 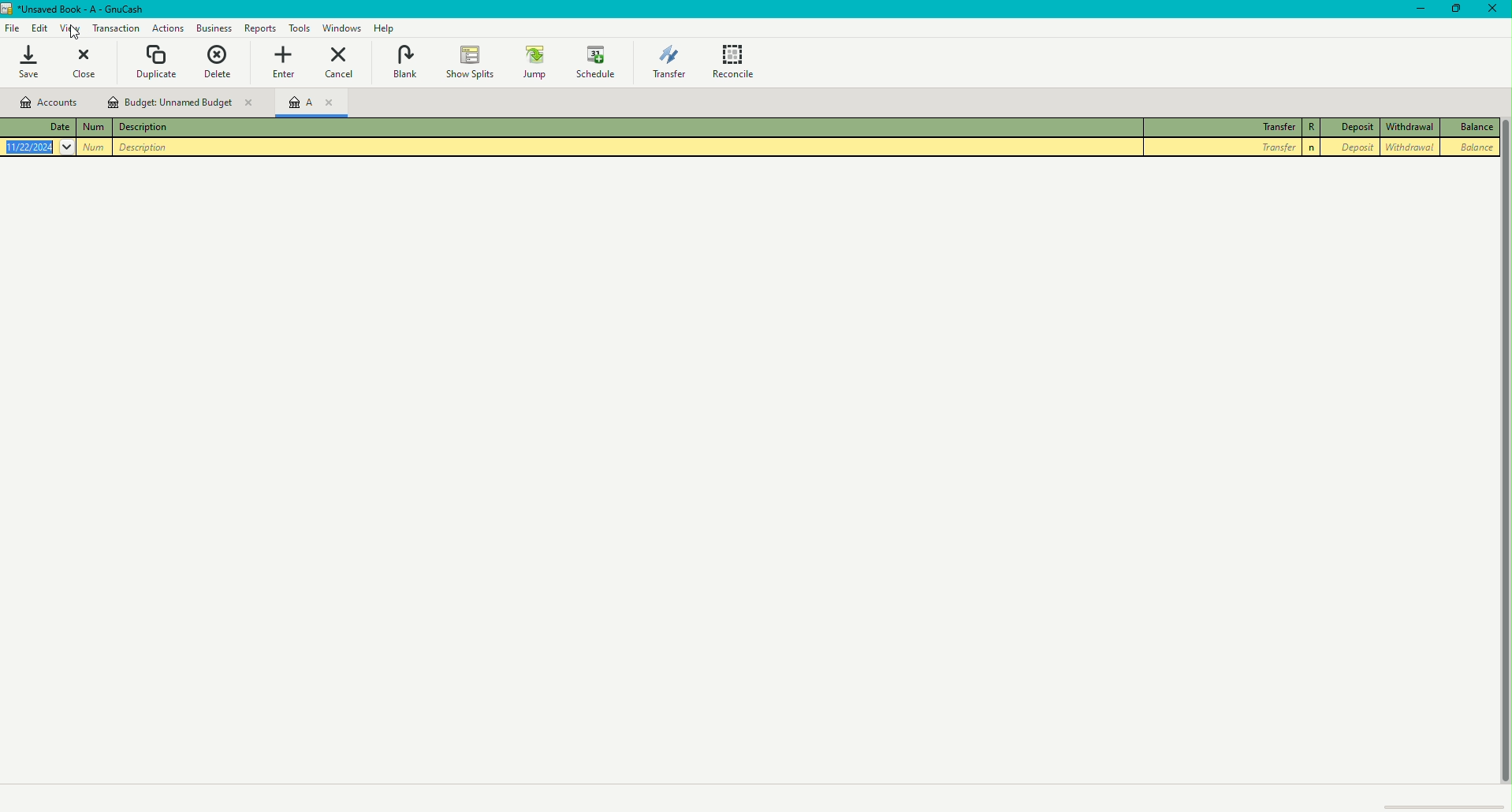 What do you see at coordinates (387, 28) in the screenshot?
I see `Help` at bounding box center [387, 28].